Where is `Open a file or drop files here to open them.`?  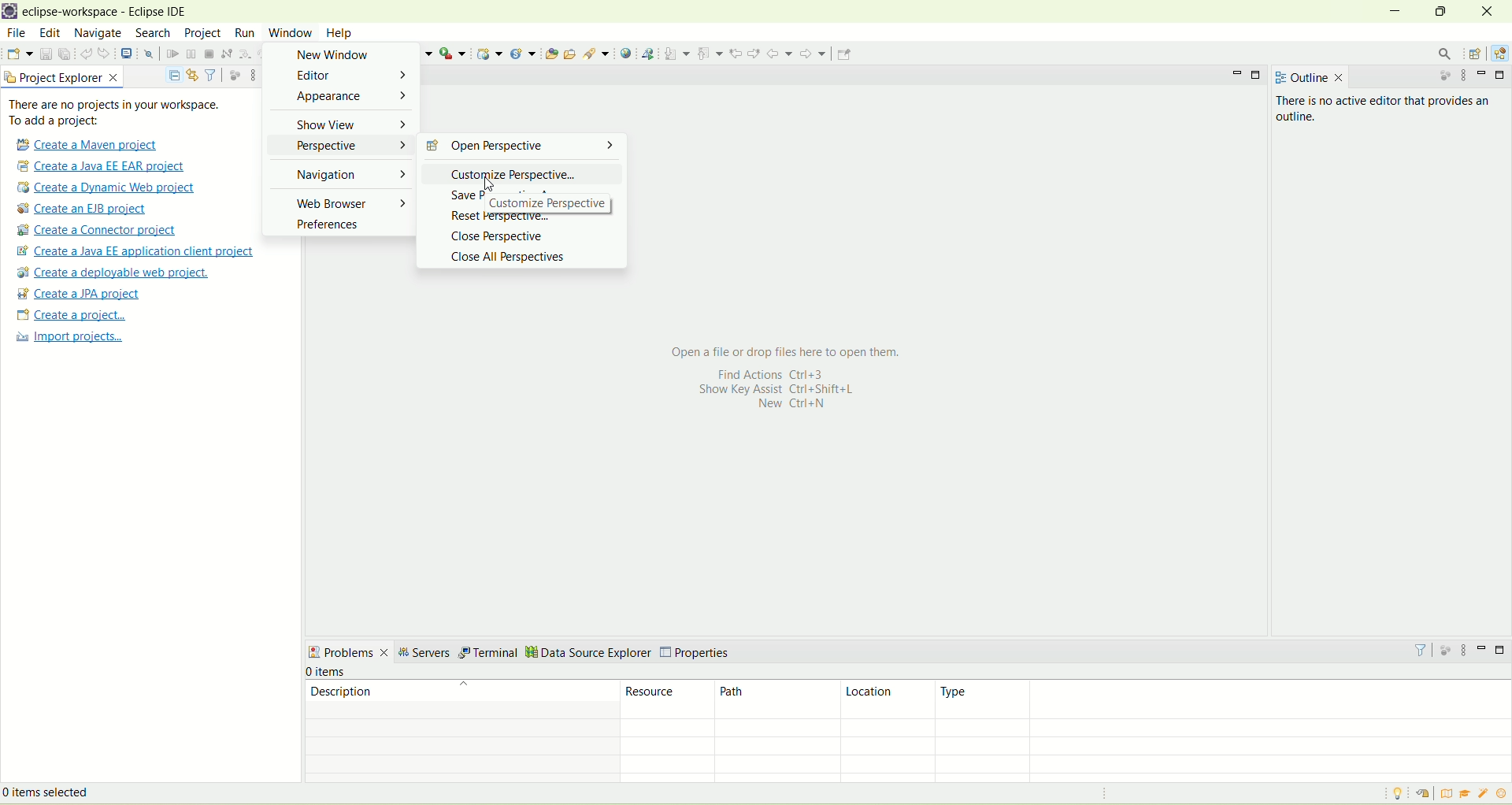
Open a file or drop files here to open them. is located at coordinates (792, 351).